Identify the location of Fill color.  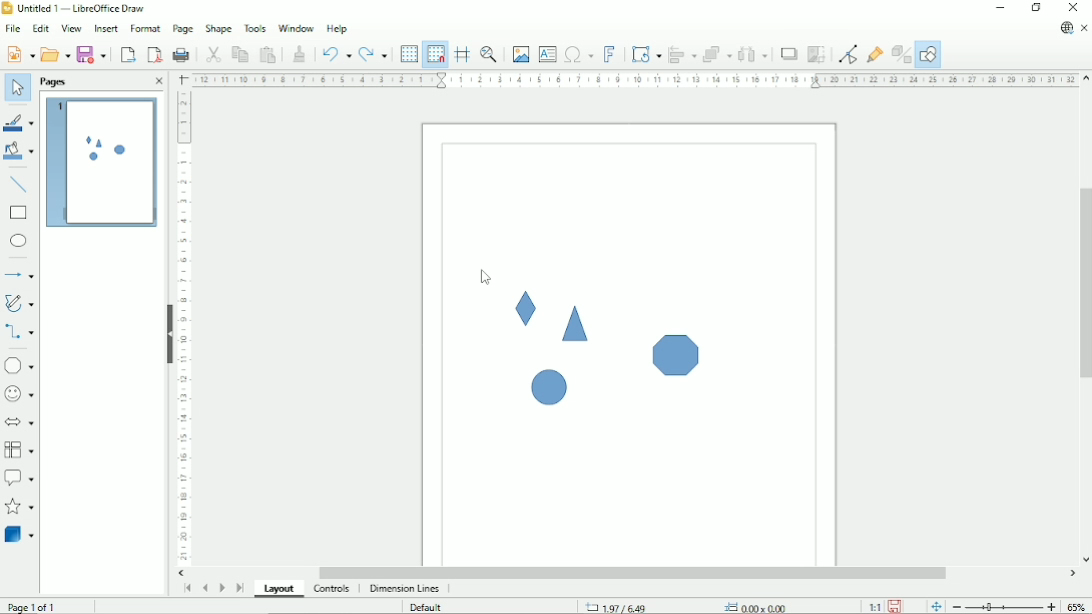
(20, 153).